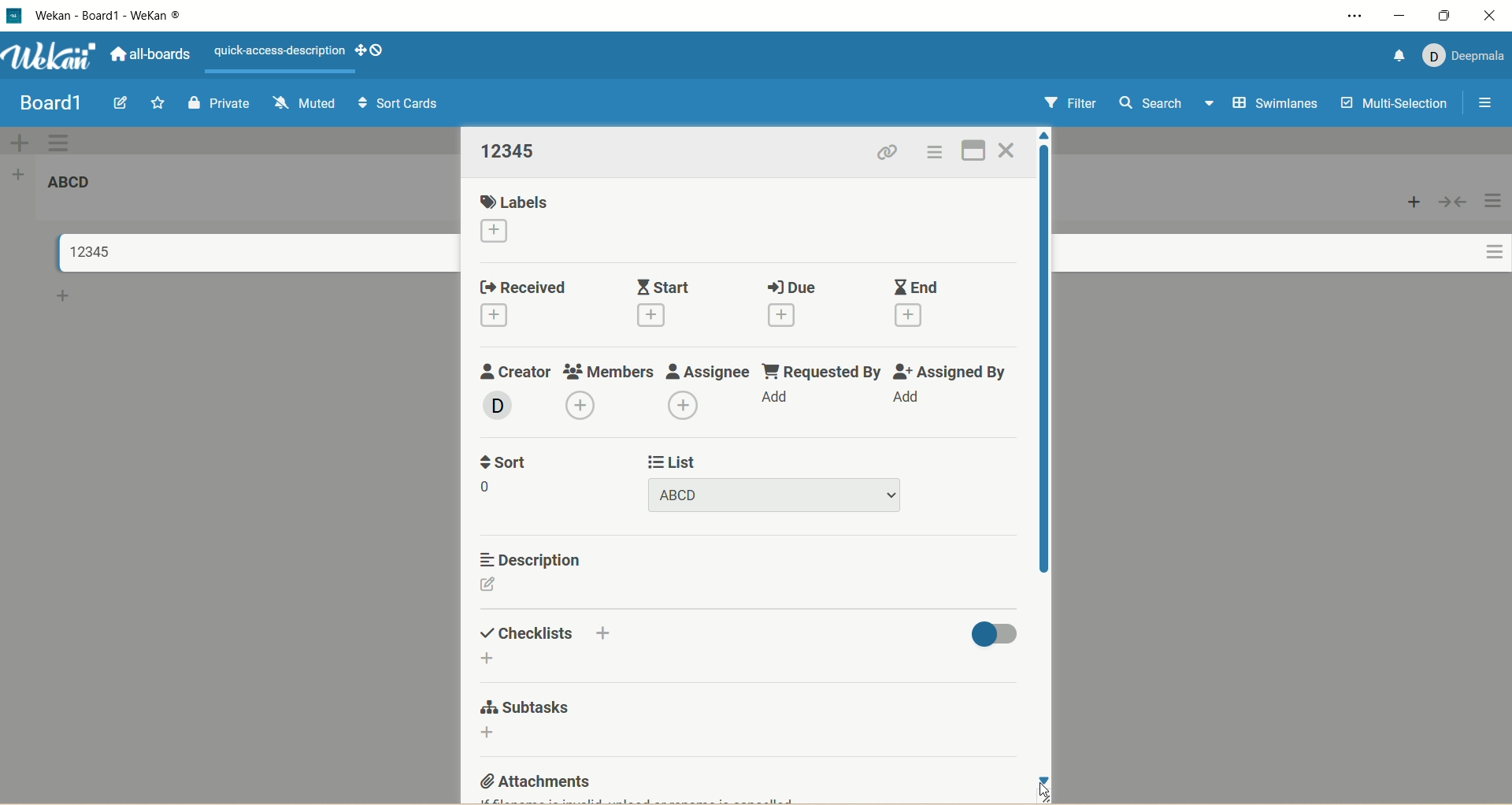 The height and width of the screenshot is (805, 1512). I want to click on list, so click(673, 461).